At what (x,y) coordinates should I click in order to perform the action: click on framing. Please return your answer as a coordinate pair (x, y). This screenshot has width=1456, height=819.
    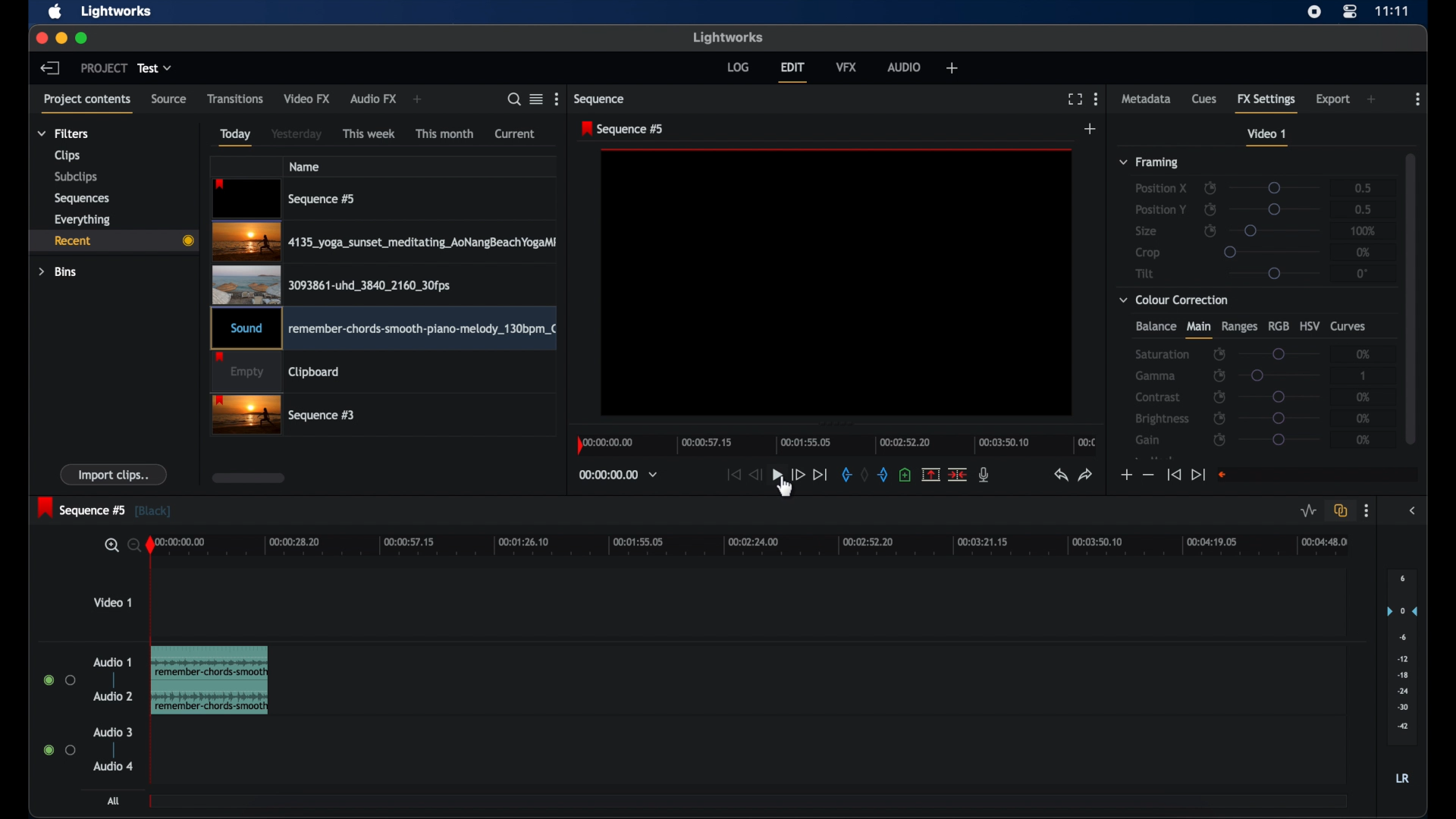
    Looking at the image, I should click on (1150, 163).